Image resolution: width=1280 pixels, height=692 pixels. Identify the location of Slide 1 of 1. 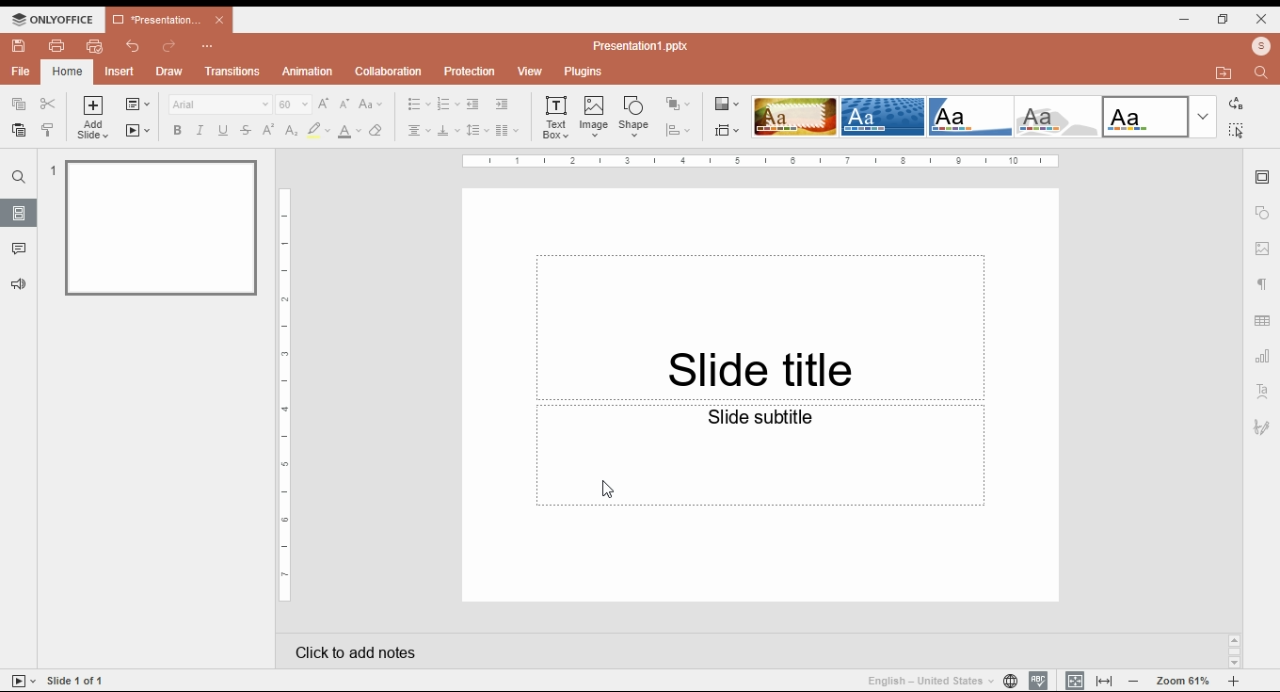
(79, 680).